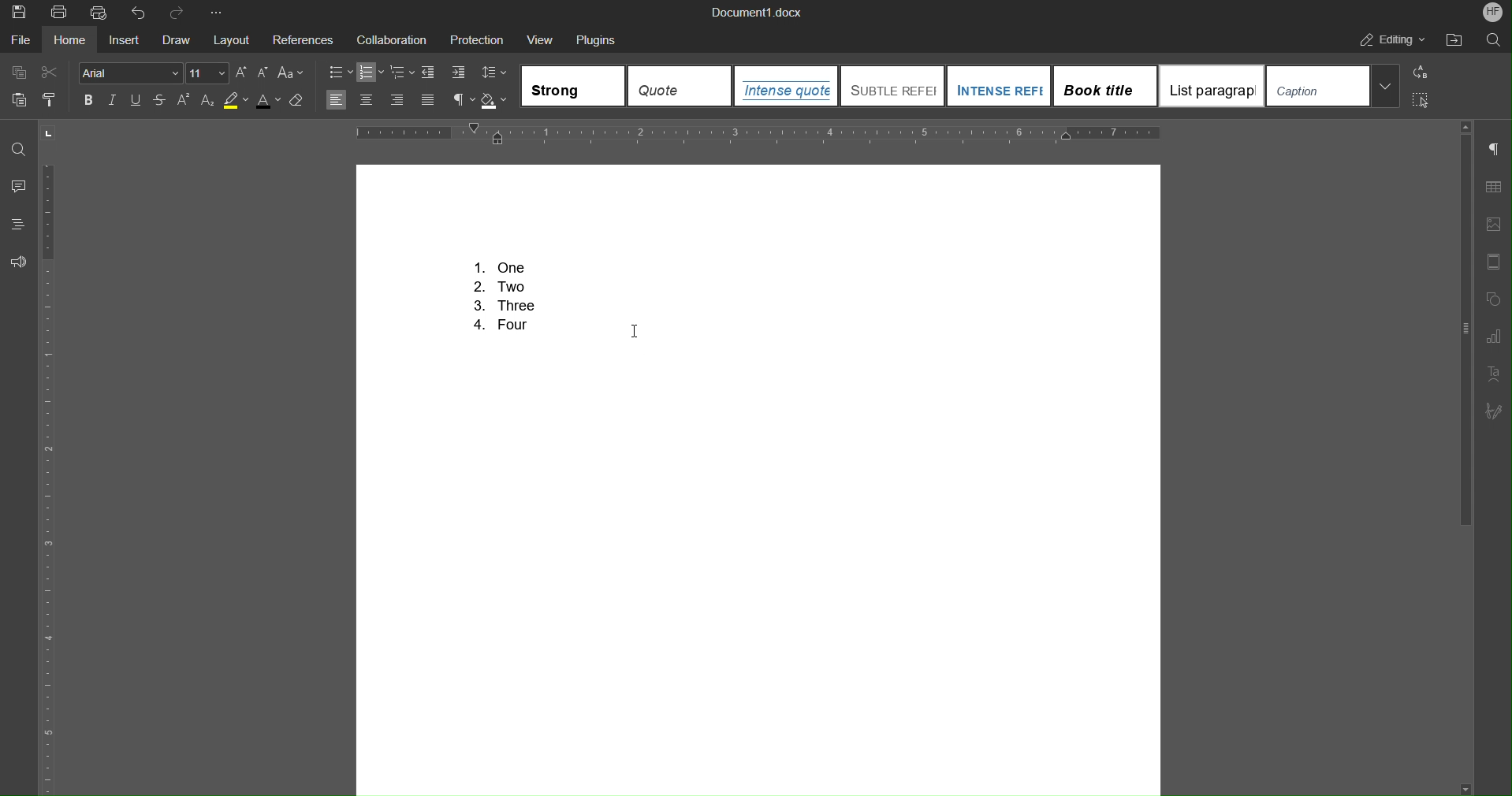  What do you see at coordinates (1493, 375) in the screenshot?
I see `Text Art` at bounding box center [1493, 375].